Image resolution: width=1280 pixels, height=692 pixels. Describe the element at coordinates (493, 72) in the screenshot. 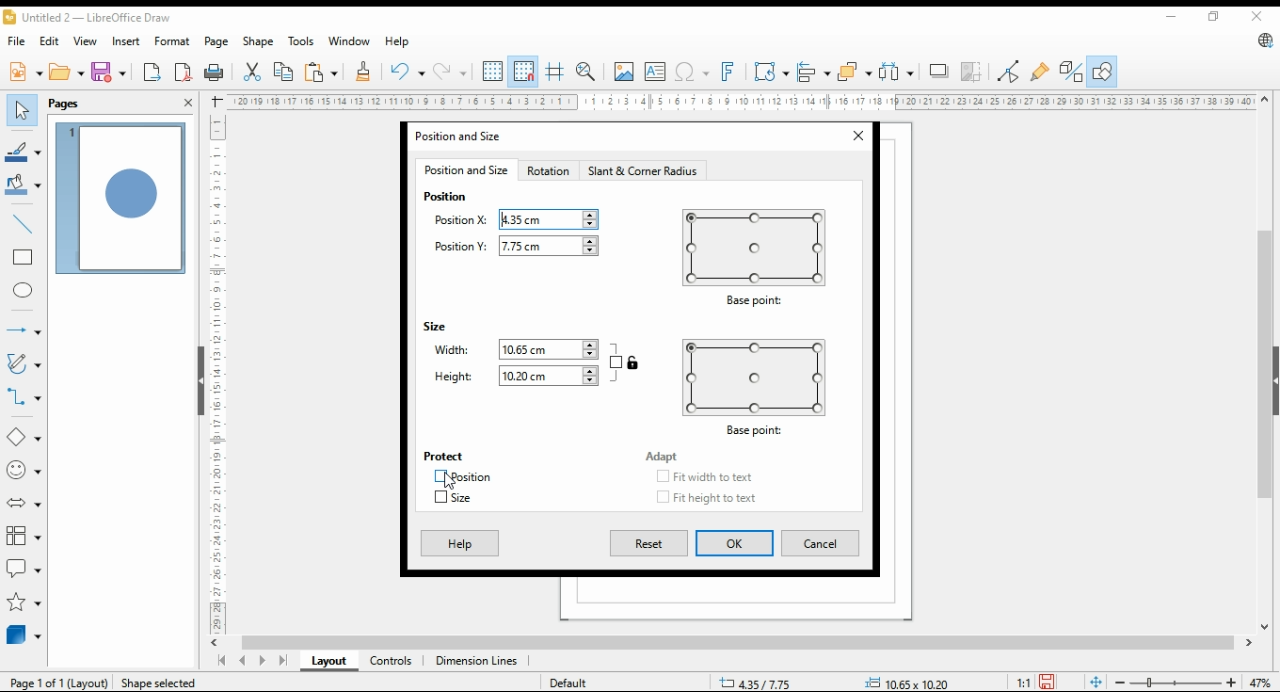

I see `show grids` at that location.